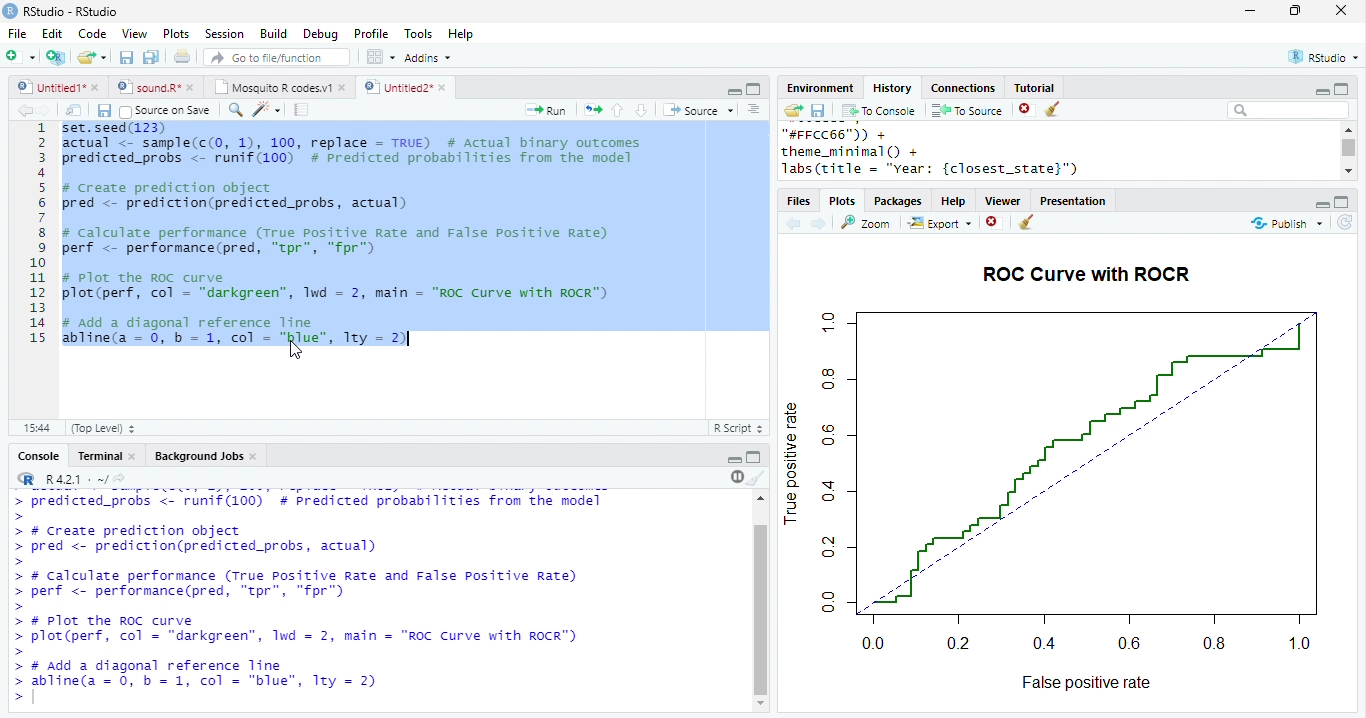  What do you see at coordinates (97, 457) in the screenshot?
I see `terminal` at bounding box center [97, 457].